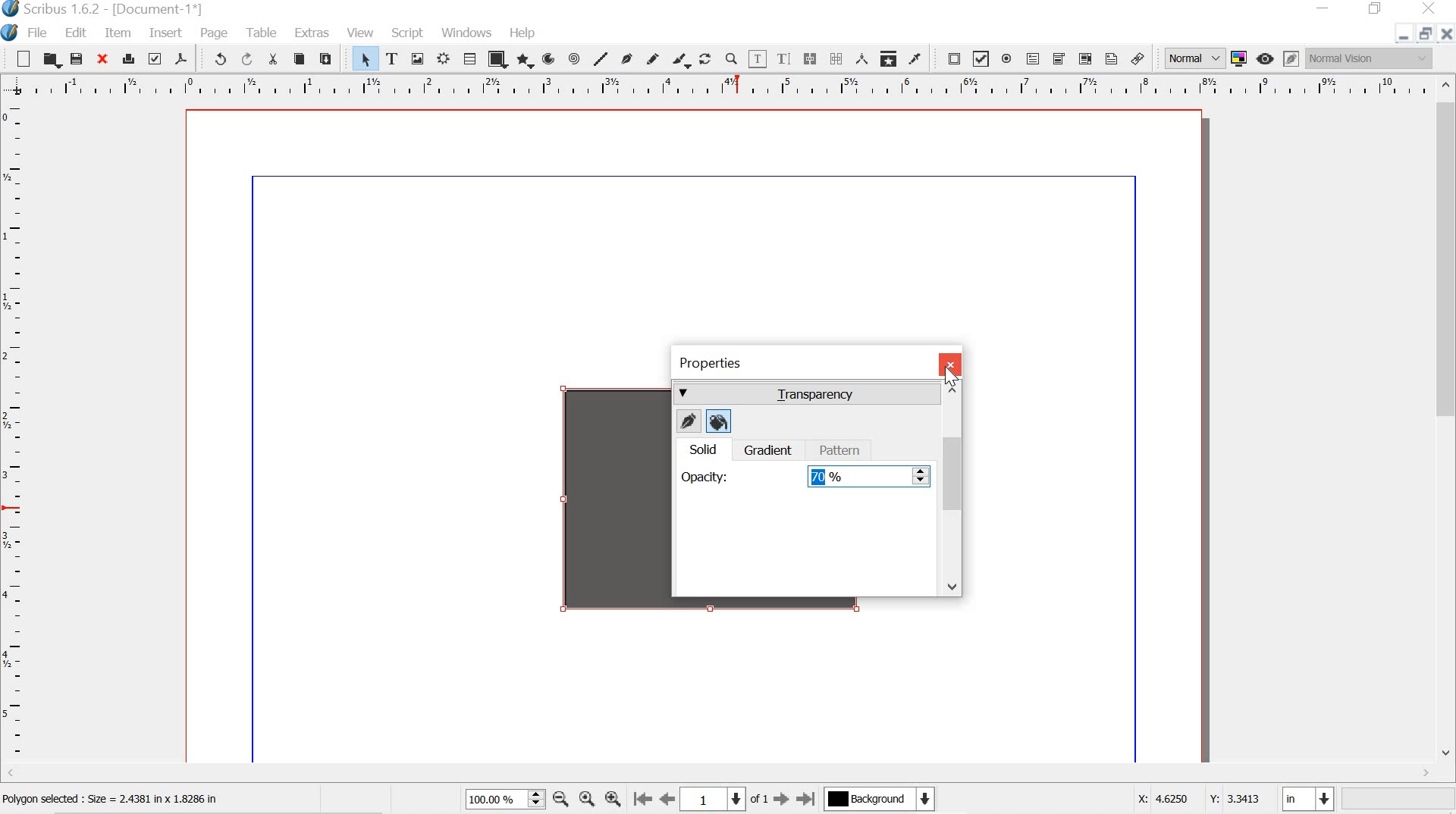 This screenshot has height=814, width=1456. Describe the element at coordinates (758, 59) in the screenshot. I see `edit contents of frame` at that location.